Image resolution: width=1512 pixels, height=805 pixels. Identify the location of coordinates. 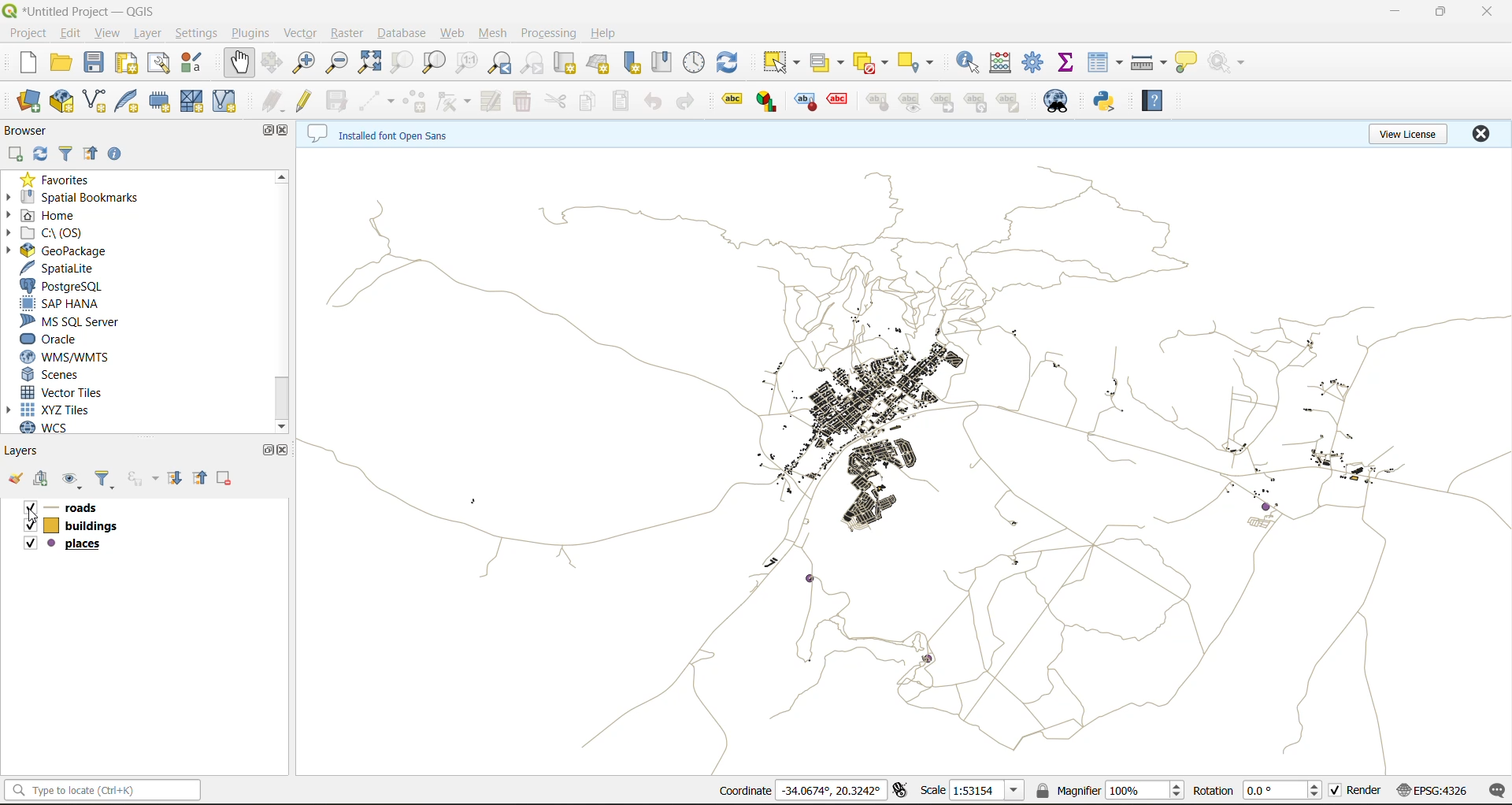
(799, 791).